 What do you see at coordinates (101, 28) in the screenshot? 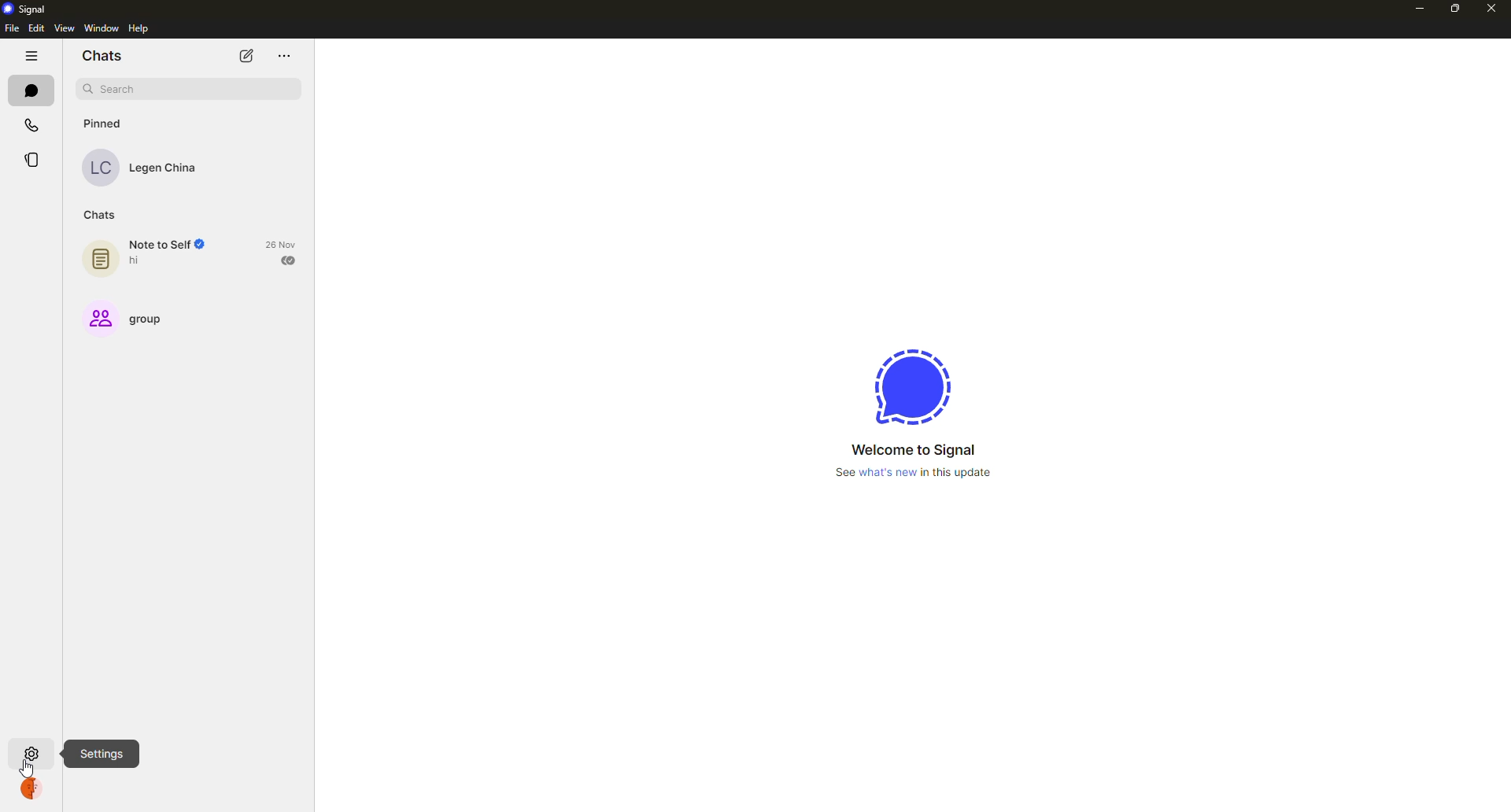
I see `window` at bounding box center [101, 28].